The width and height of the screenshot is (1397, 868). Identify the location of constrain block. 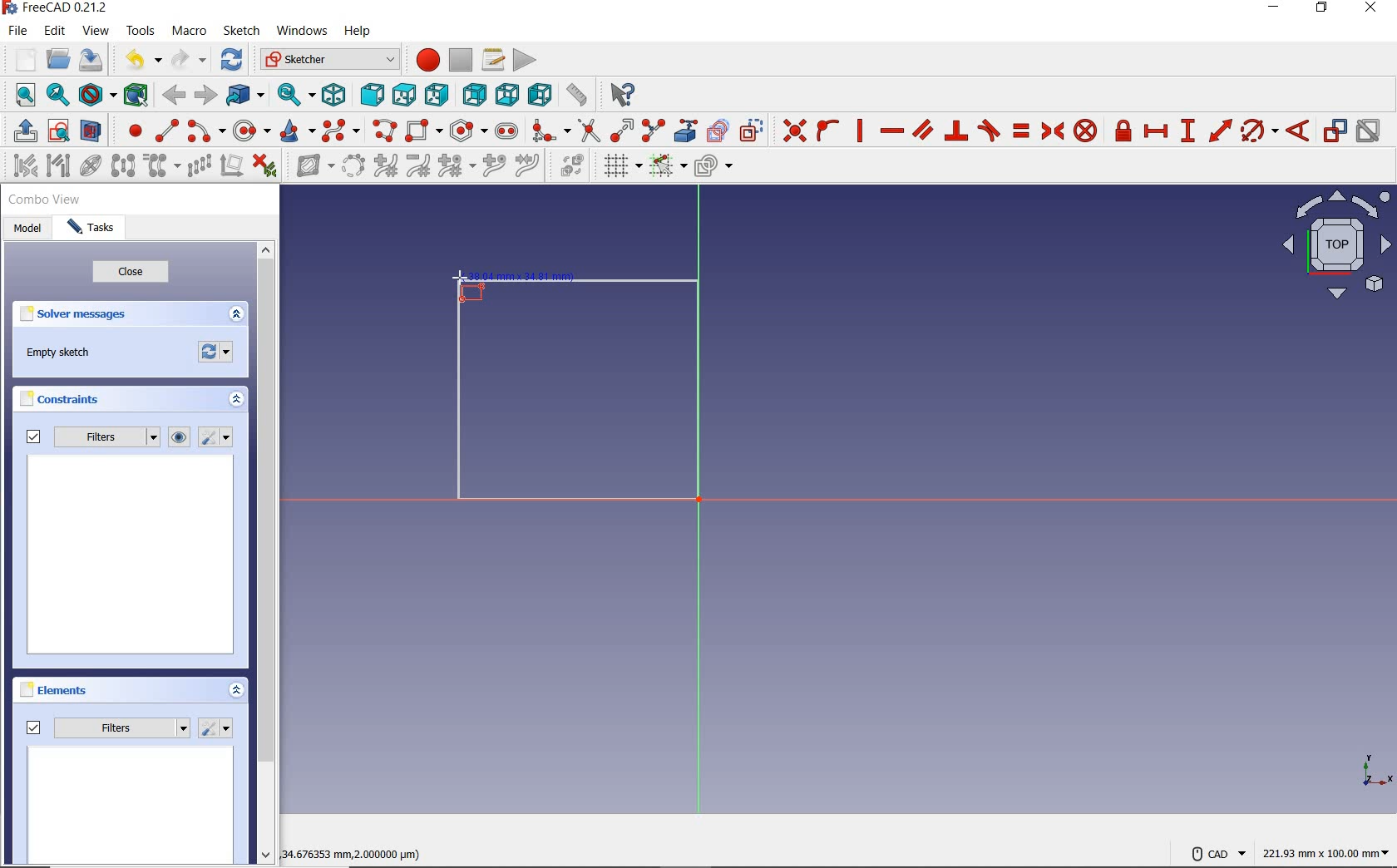
(1086, 131).